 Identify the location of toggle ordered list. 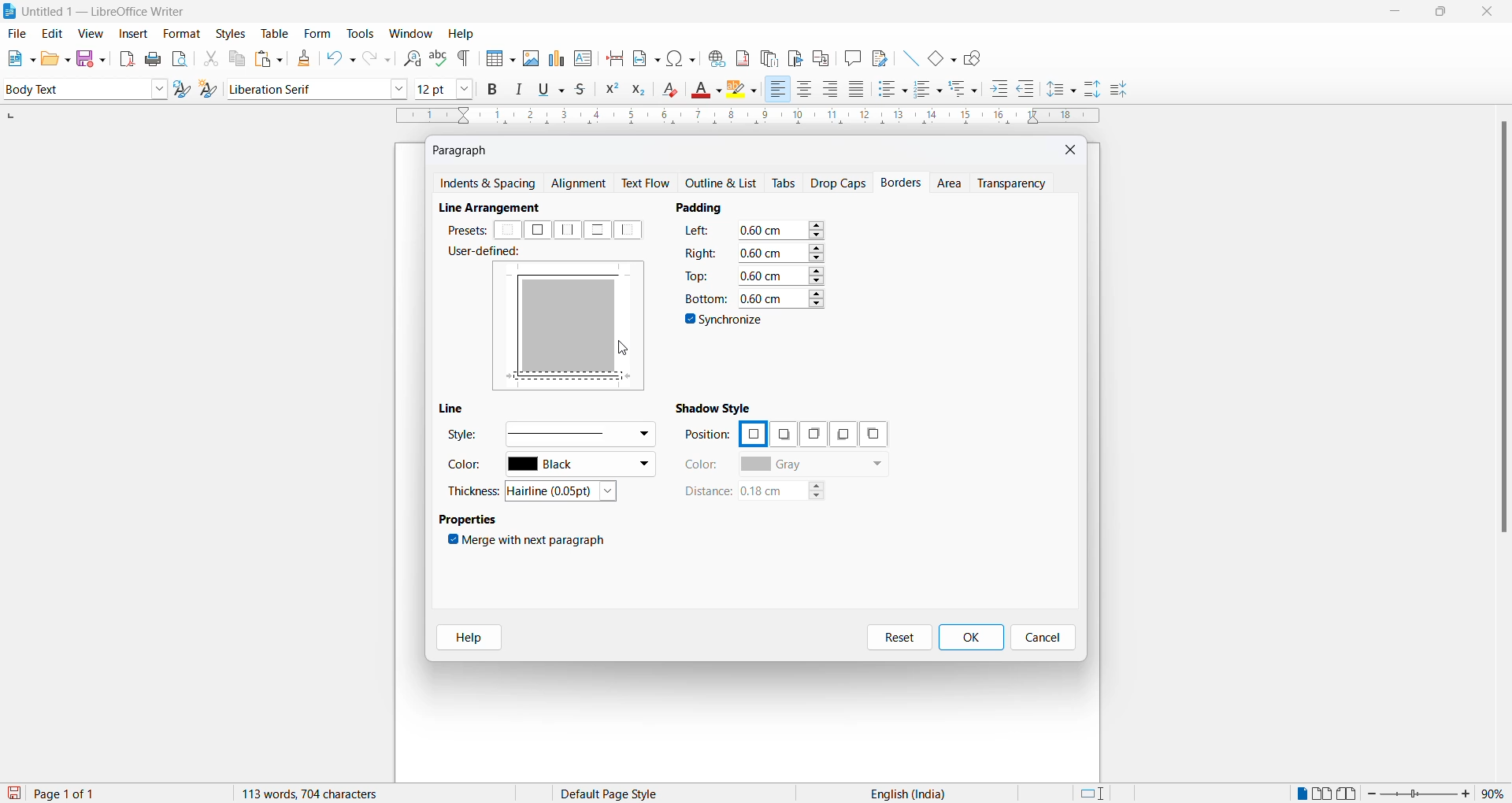
(929, 90).